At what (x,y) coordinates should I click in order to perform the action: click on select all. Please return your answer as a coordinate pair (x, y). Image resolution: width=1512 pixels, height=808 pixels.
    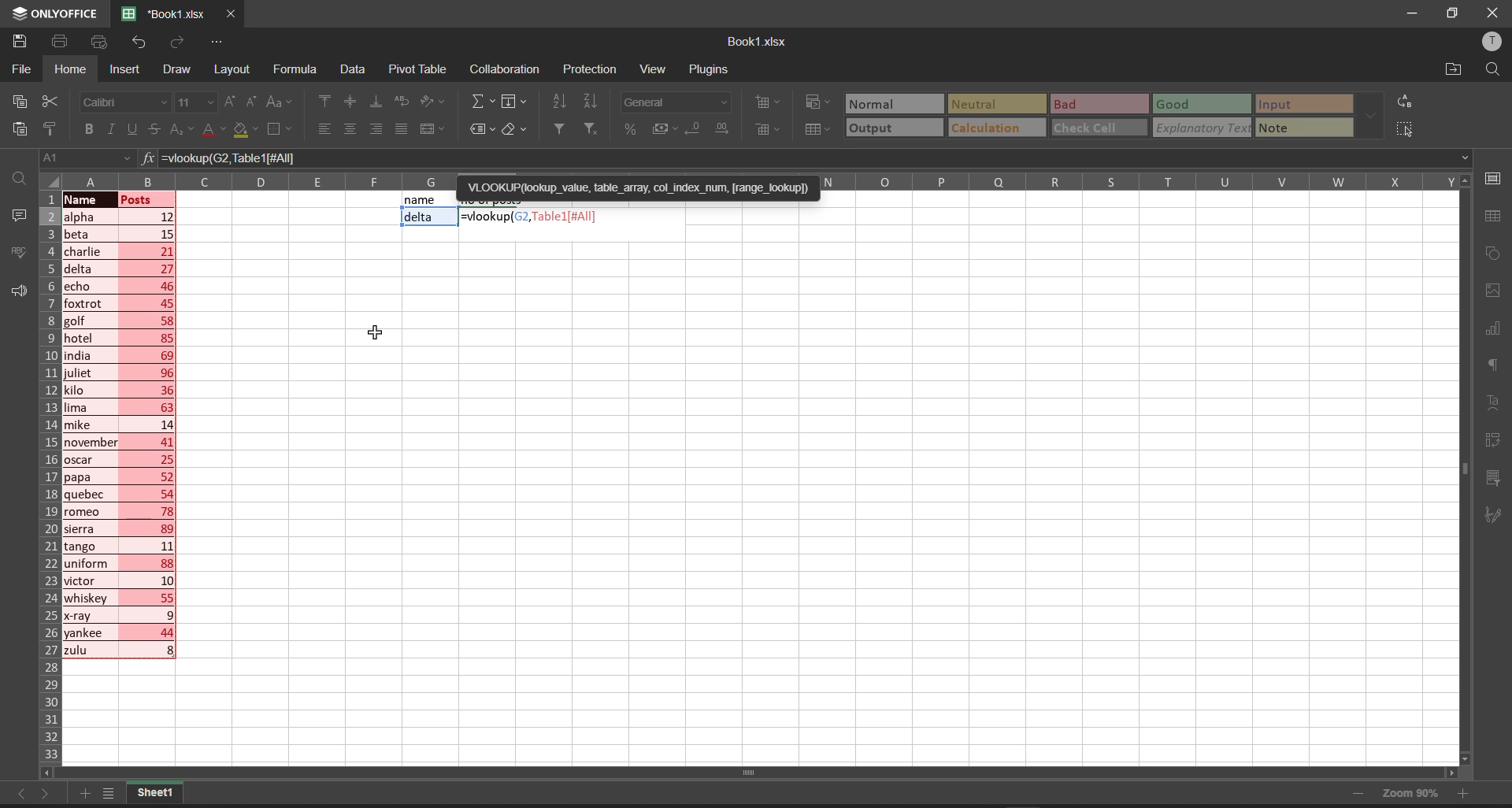
    Looking at the image, I should click on (50, 180).